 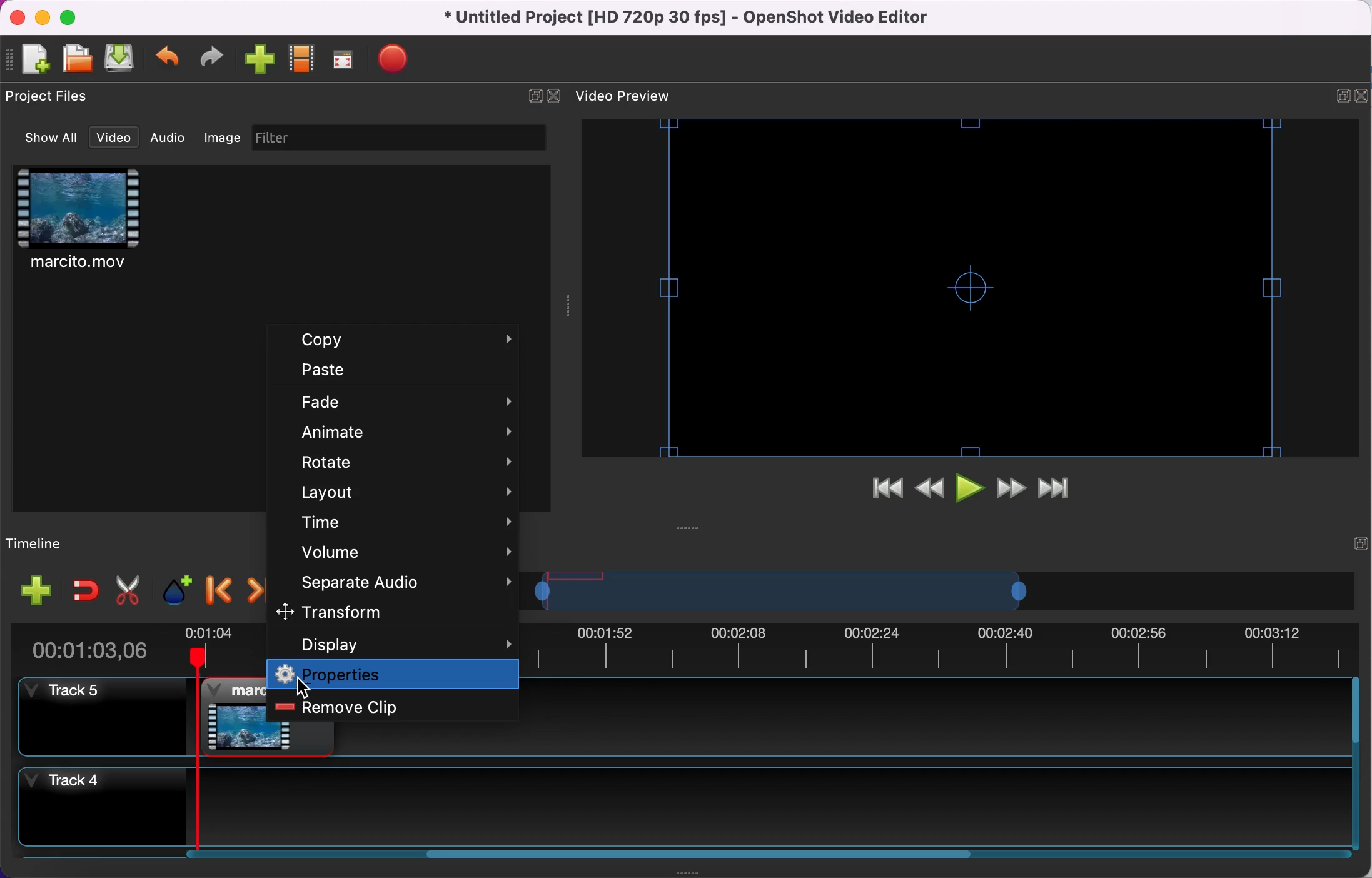 I want to click on enable snapping, so click(x=84, y=589).